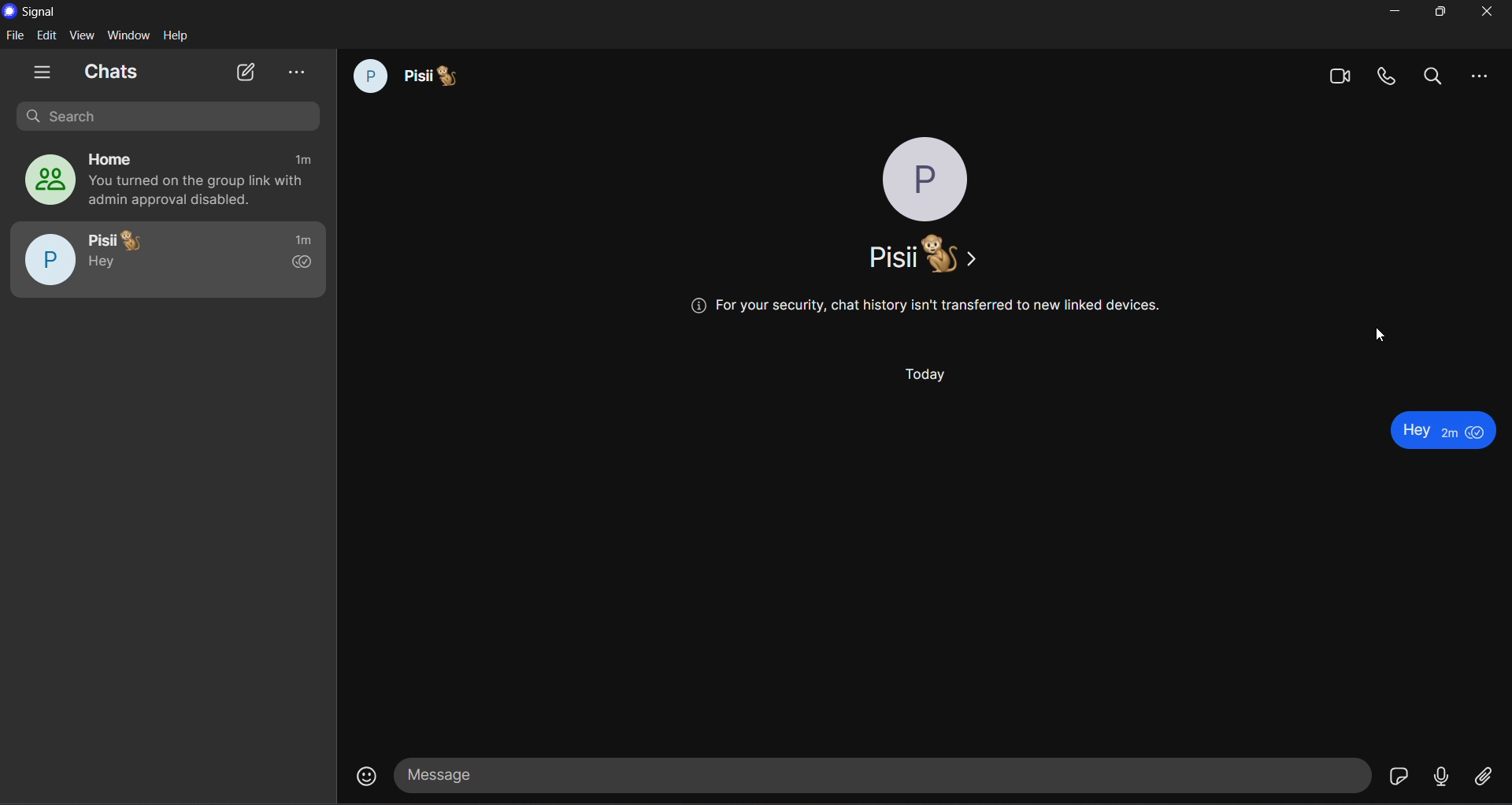 The height and width of the screenshot is (805, 1512). Describe the element at coordinates (1484, 775) in the screenshot. I see `file share` at that location.